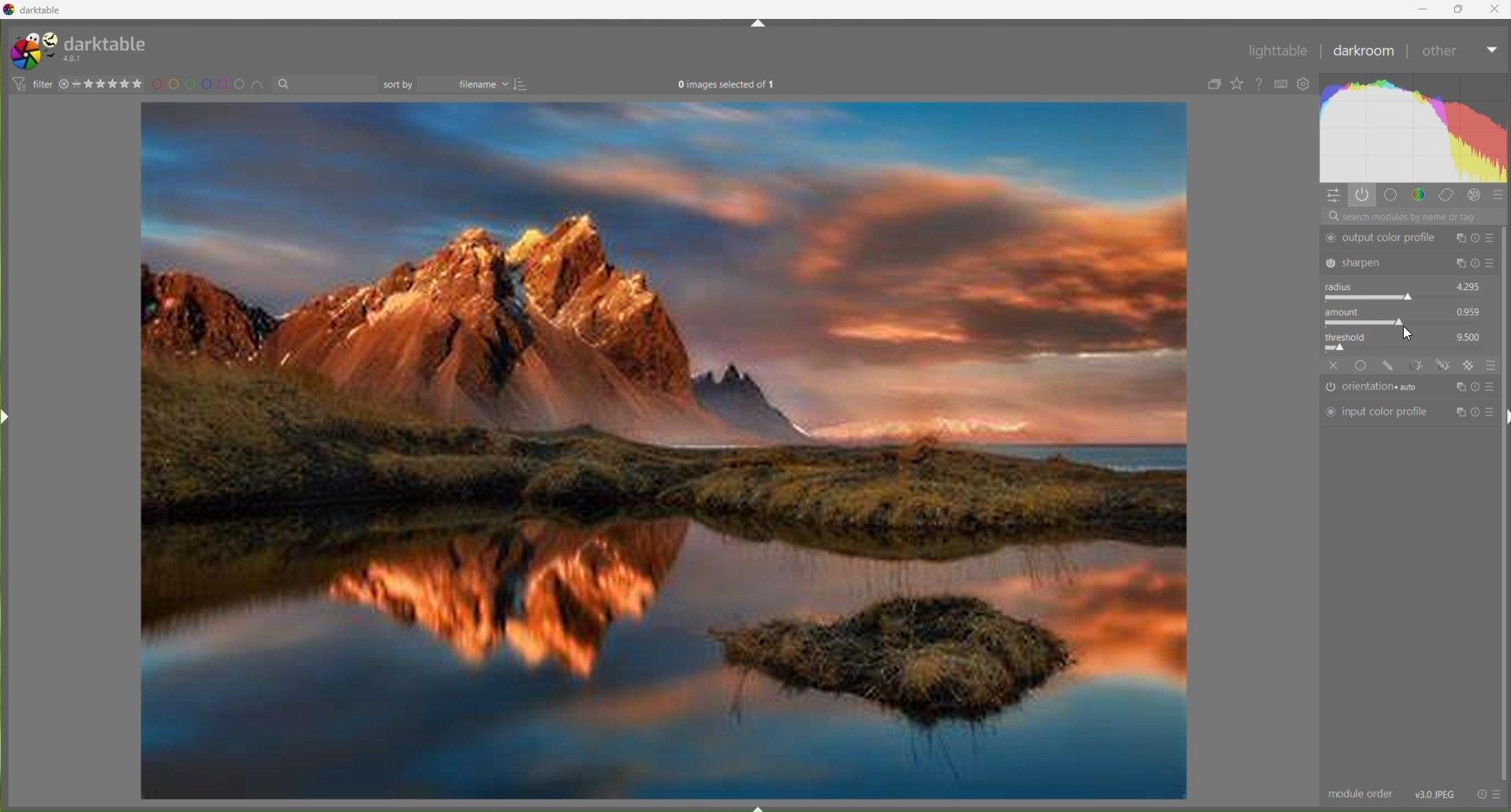 Image resolution: width=1511 pixels, height=812 pixels. Describe the element at coordinates (664, 453) in the screenshot. I see `image` at that location.